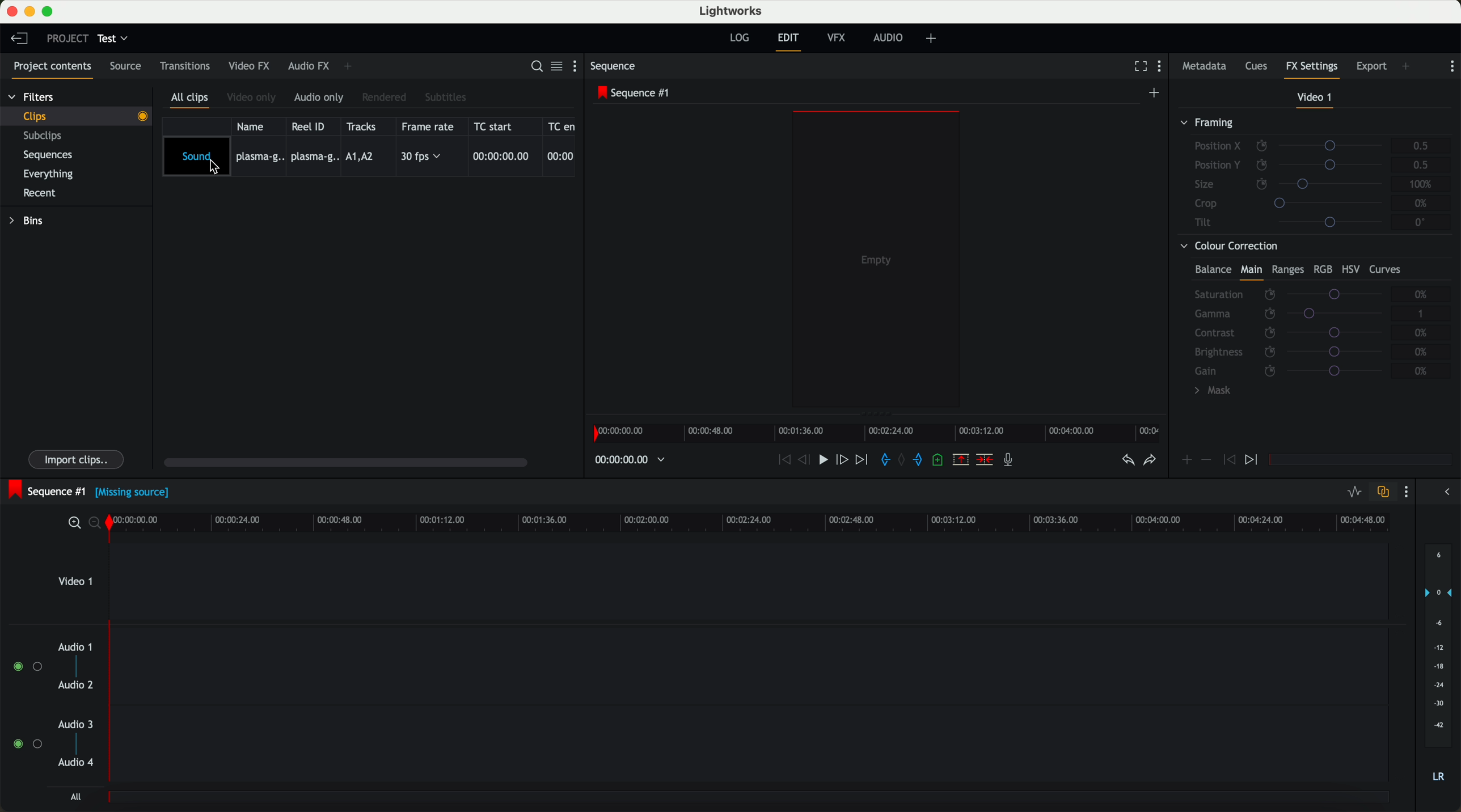 This screenshot has height=812, width=1461. Describe the element at coordinates (733, 11) in the screenshot. I see `lightworks` at that location.